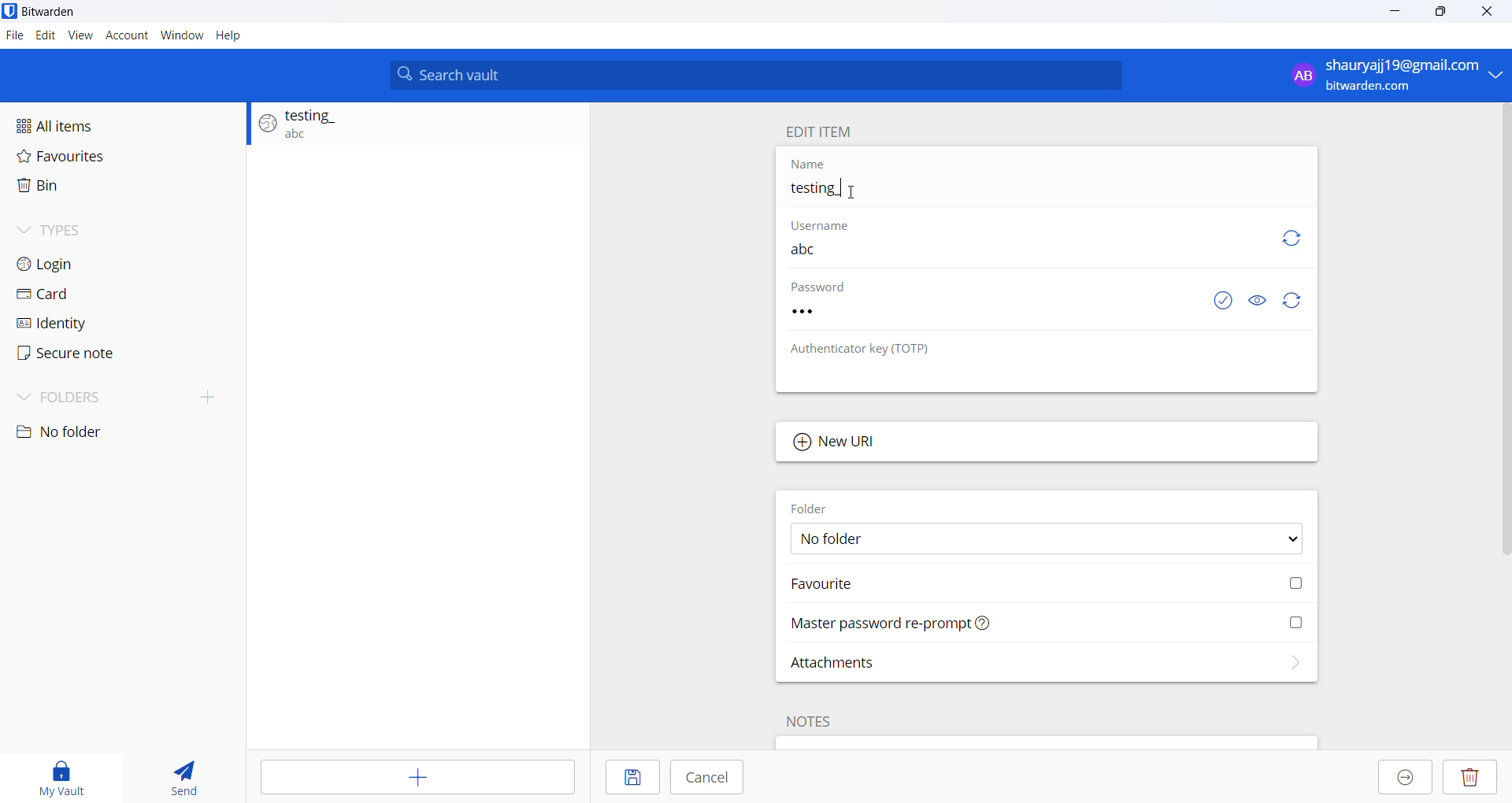 The image size is (1512, 803). Describe the element at coordinates (229, 35) in the screenshot. I see `Help` at that location.